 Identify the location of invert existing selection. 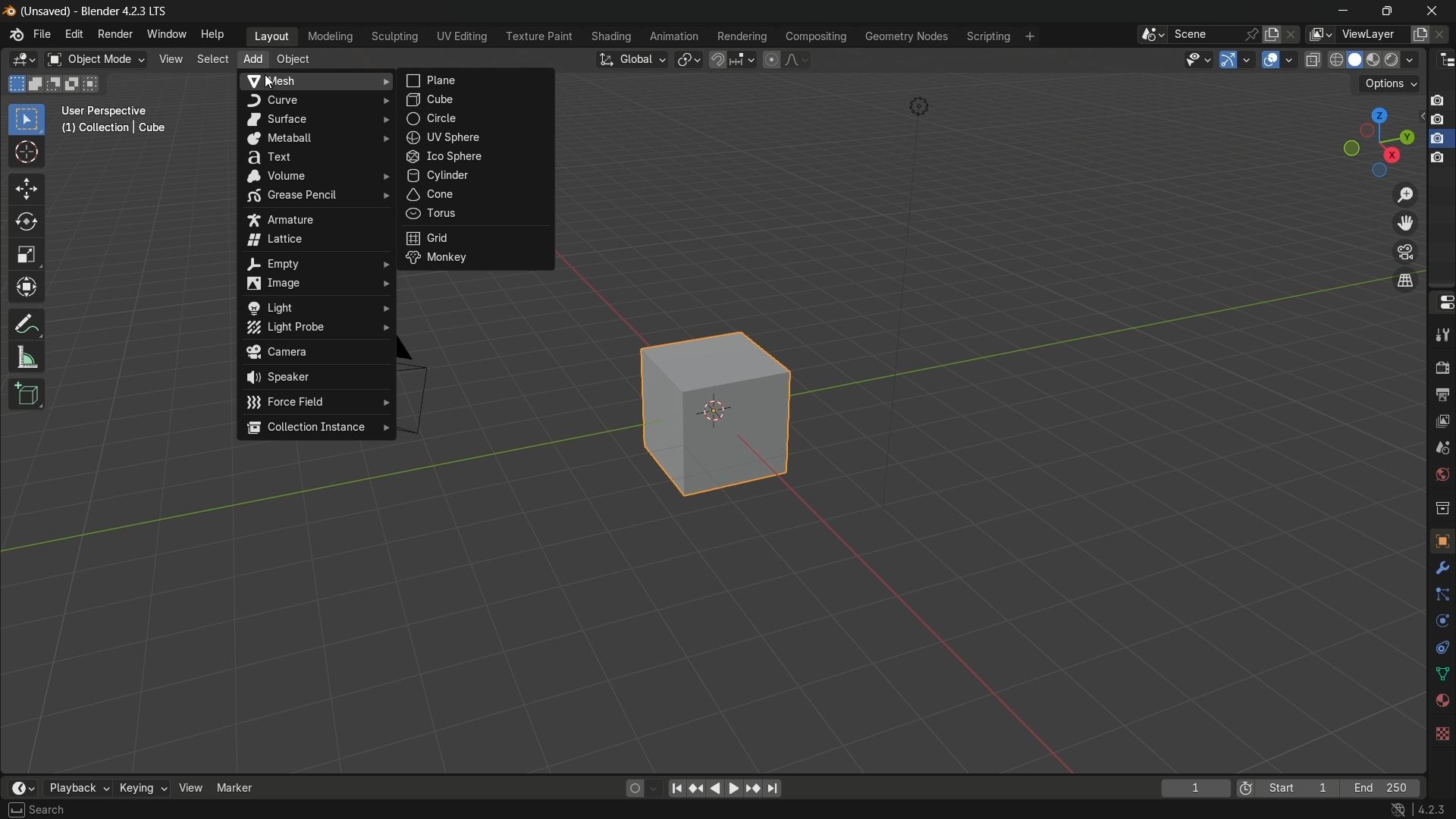
(76, 84).